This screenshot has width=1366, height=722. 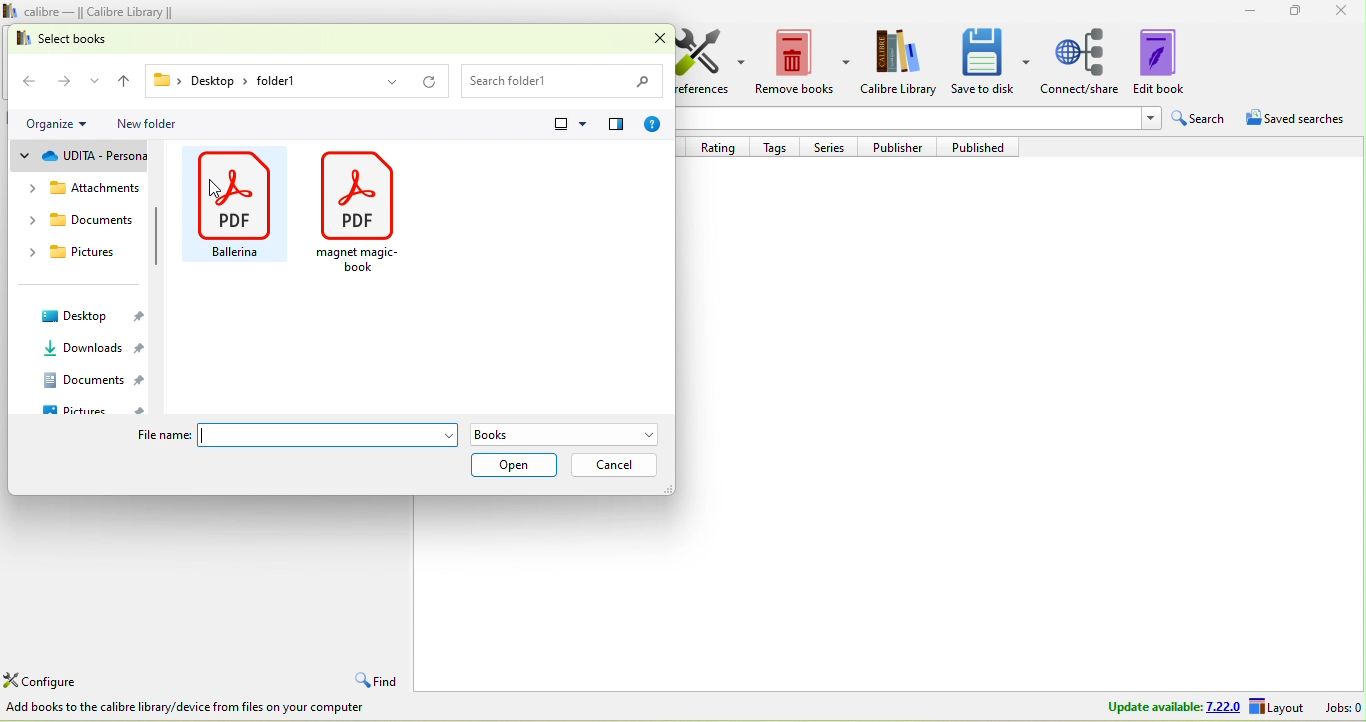 What do you see at coordinates (428, 81) in the screenshot?
I see `reload` at bounding box center [428, 81].